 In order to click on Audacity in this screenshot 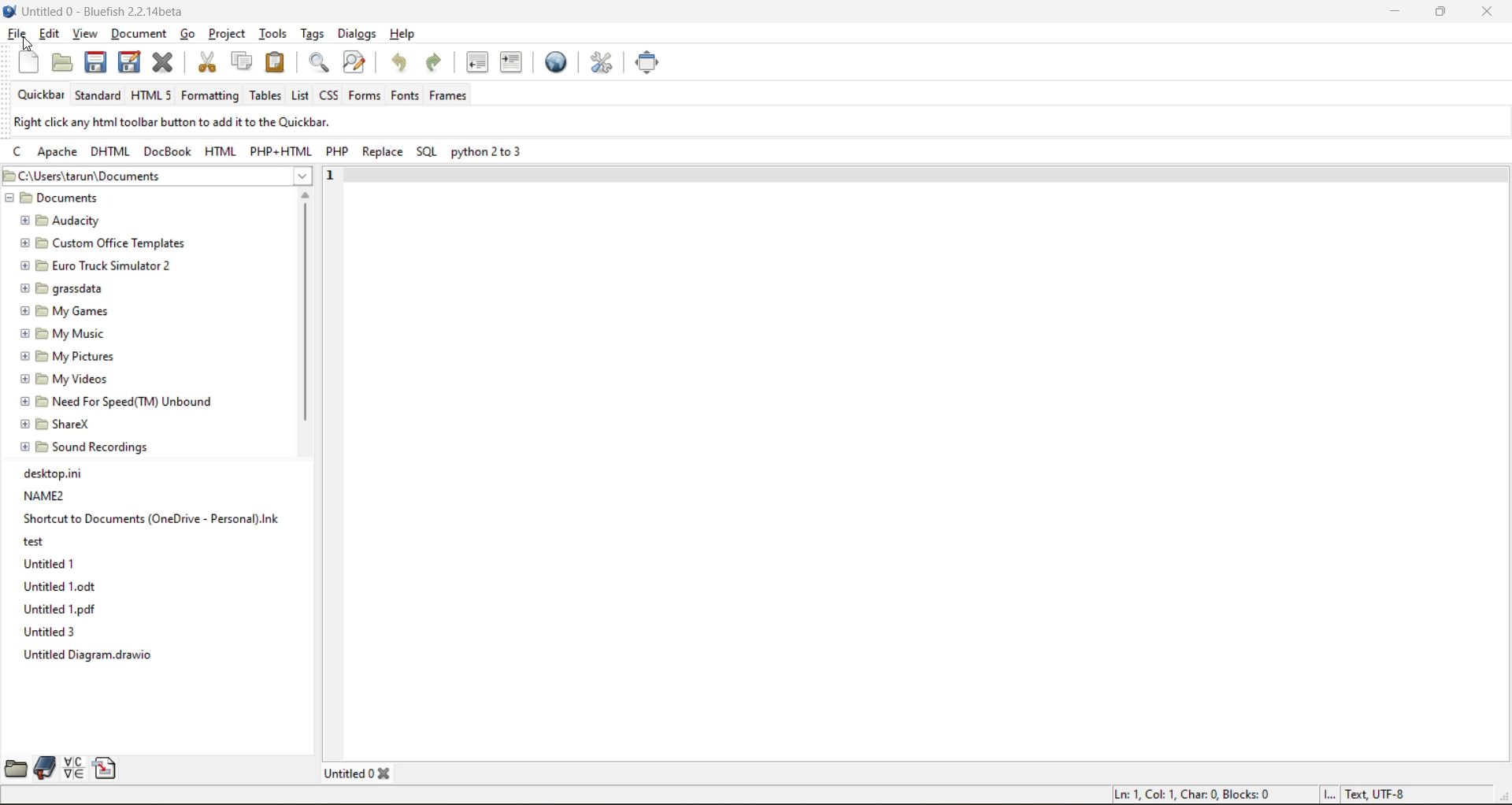, I will do `click(63, 220)`.